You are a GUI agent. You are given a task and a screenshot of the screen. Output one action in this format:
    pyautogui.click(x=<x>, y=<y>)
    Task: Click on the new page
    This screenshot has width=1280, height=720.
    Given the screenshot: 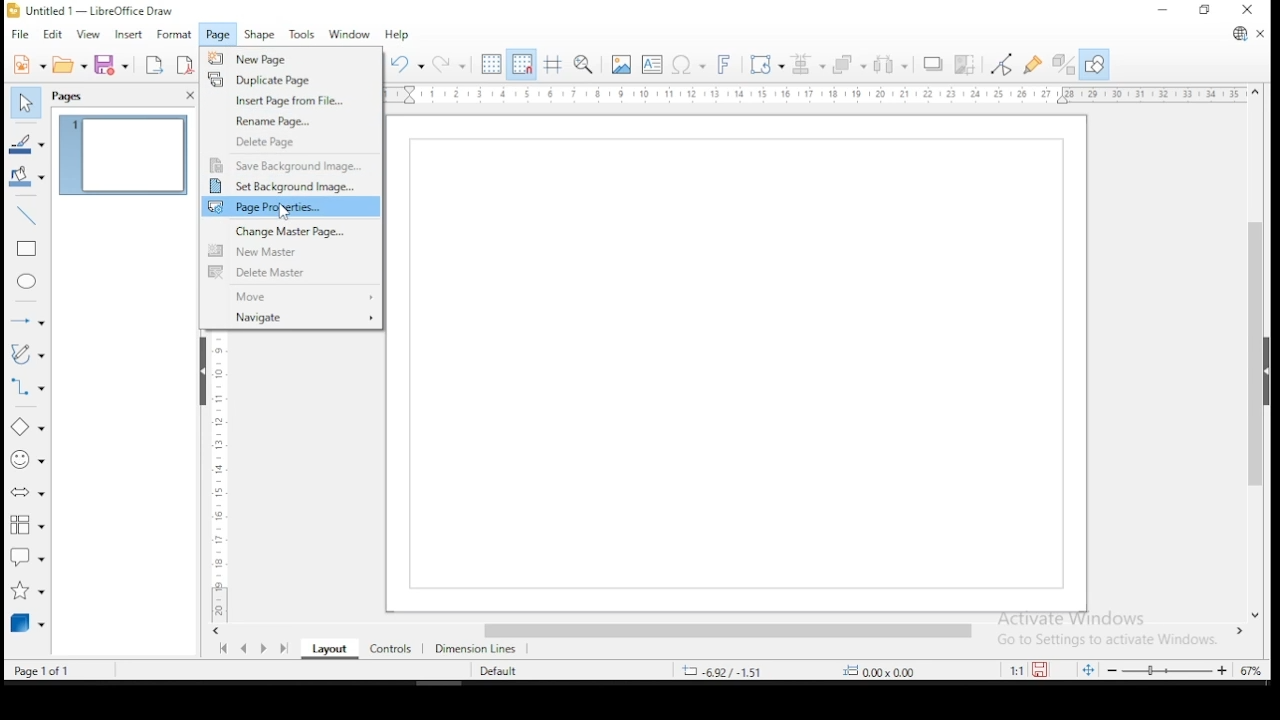 What is the action you would take?
    pyautogui.click(x=292, y=59)
    